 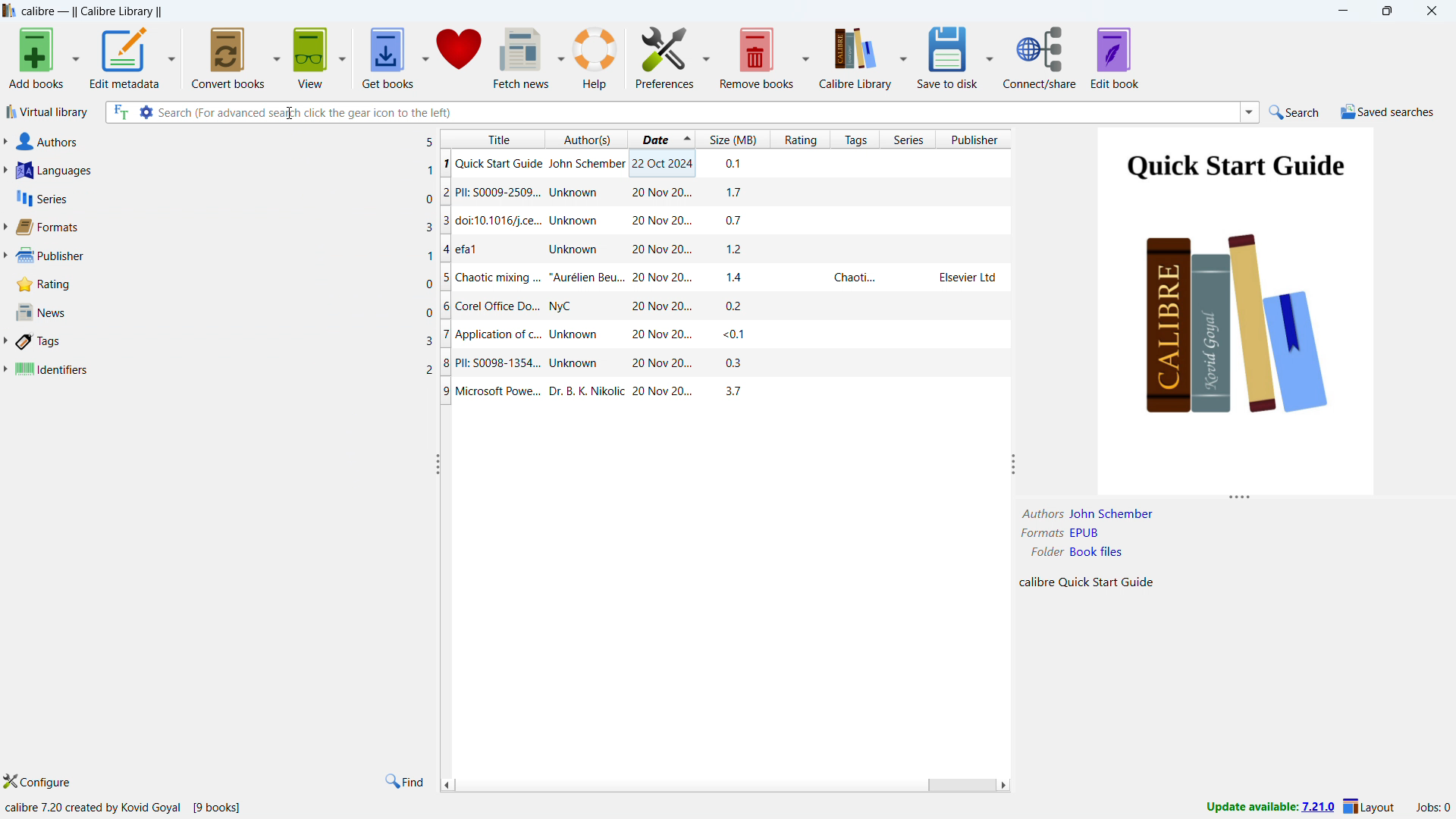 I want to click on resize, so click(x=1241, y=498).